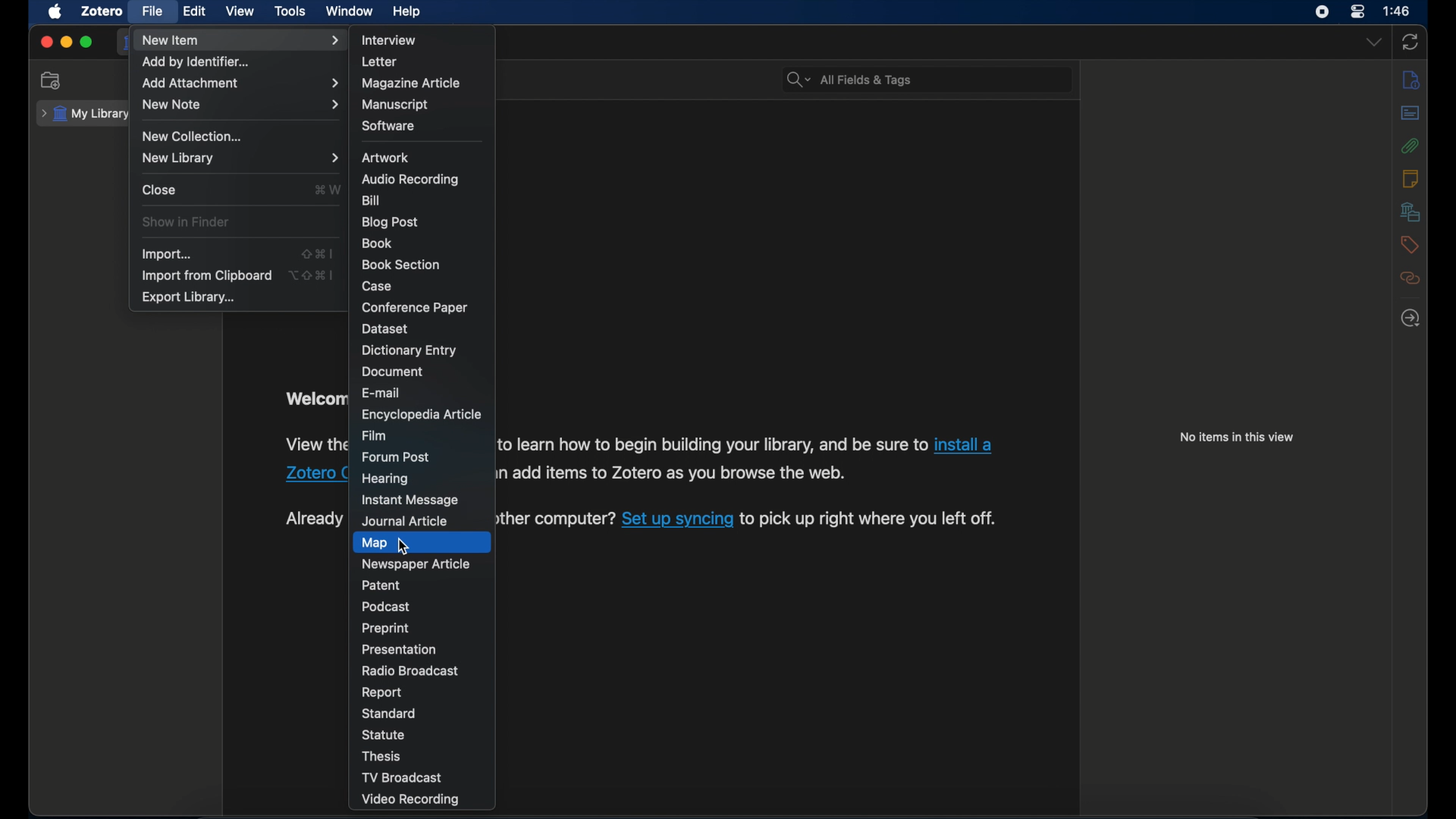 The height and width of the screenshot is (819, 1456). What do you see at coordinates (1237, 437) in the screenshot?
I see `no items in this view` at bounding box center [1237, 437].